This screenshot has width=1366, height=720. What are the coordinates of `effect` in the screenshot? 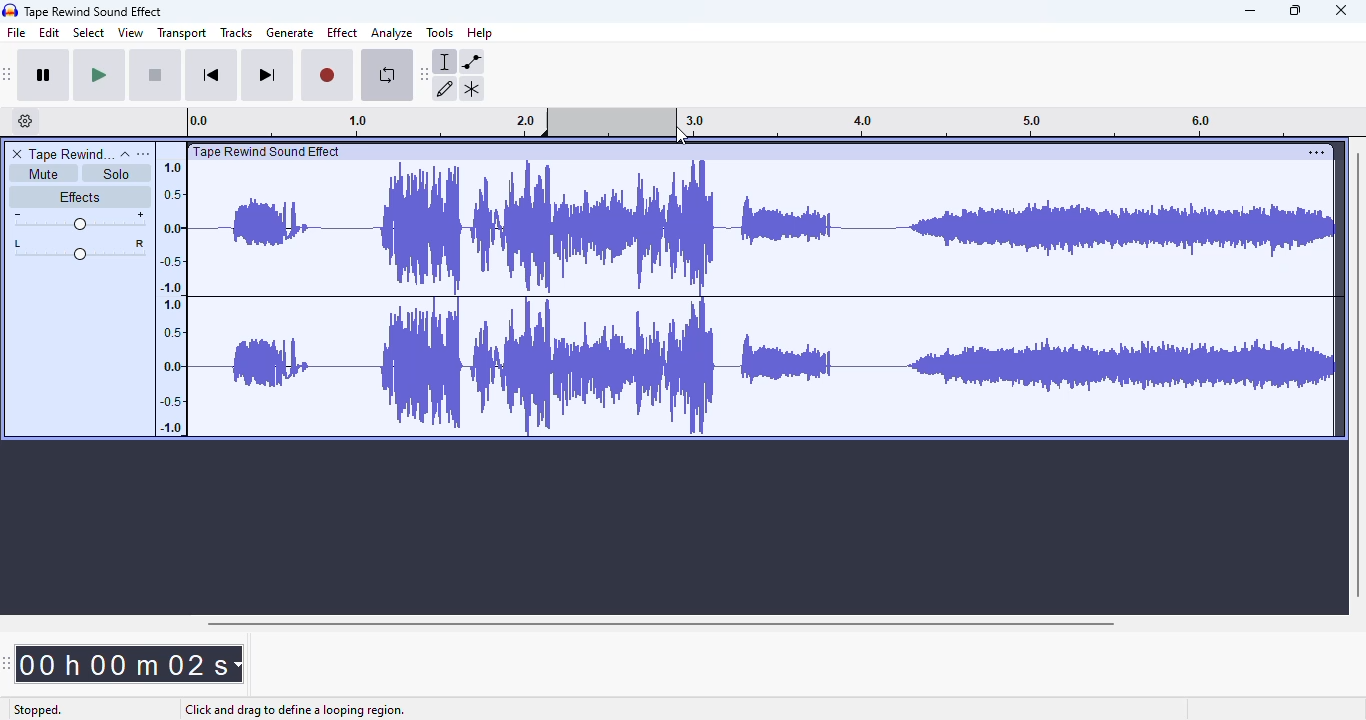 It's located at (342, 33).